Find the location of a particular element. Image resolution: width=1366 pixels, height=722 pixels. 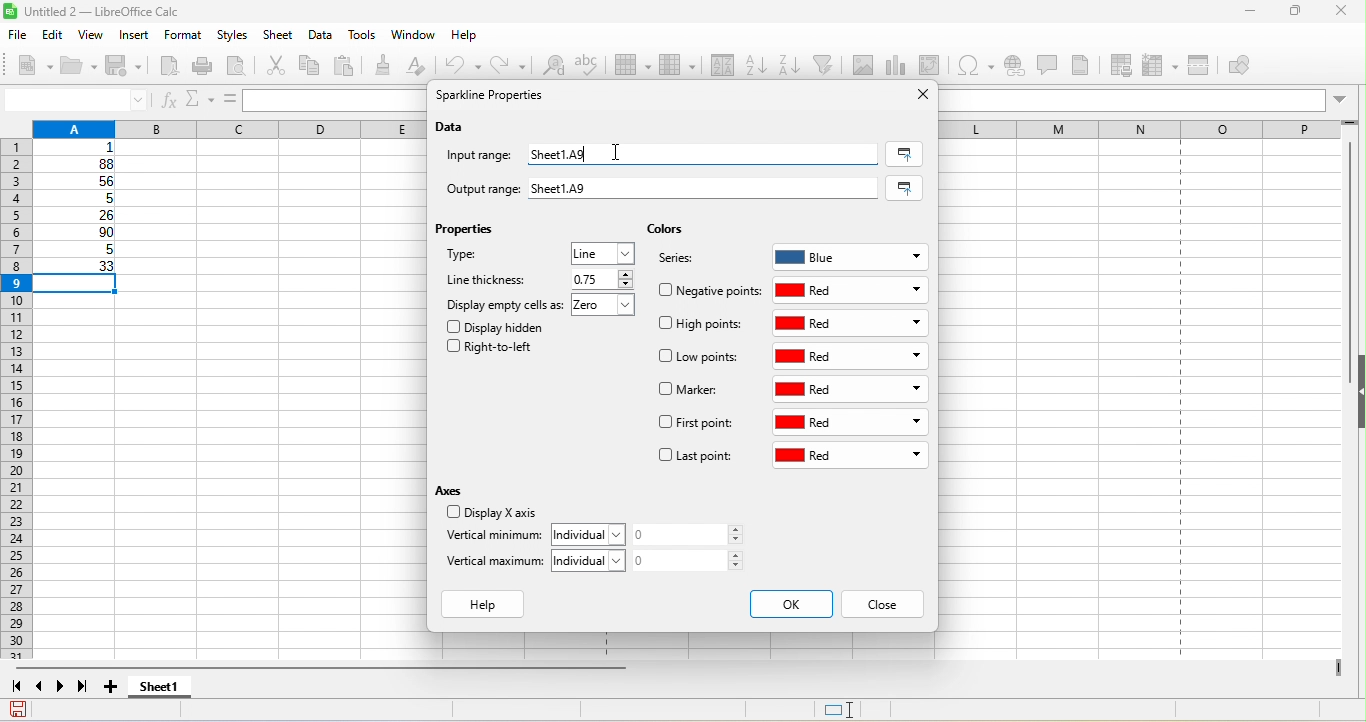

tools is located at coordinates (363, 36).